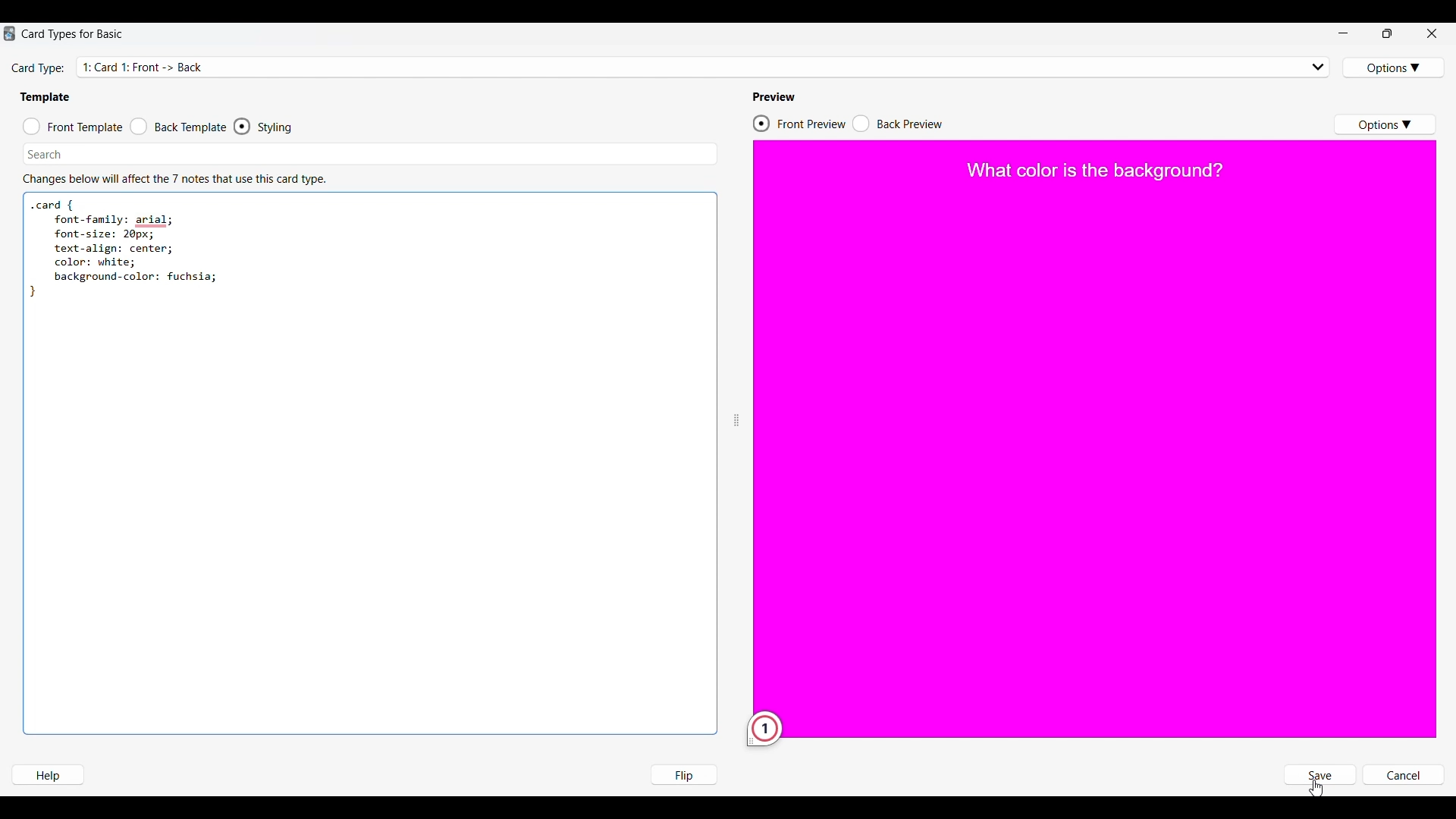 This screenshot has height=819, width=1456. What do you see at coordinates (777, 97) in the screenshot?
I see `Indicates Preview section` at bounding box center [777, 97].